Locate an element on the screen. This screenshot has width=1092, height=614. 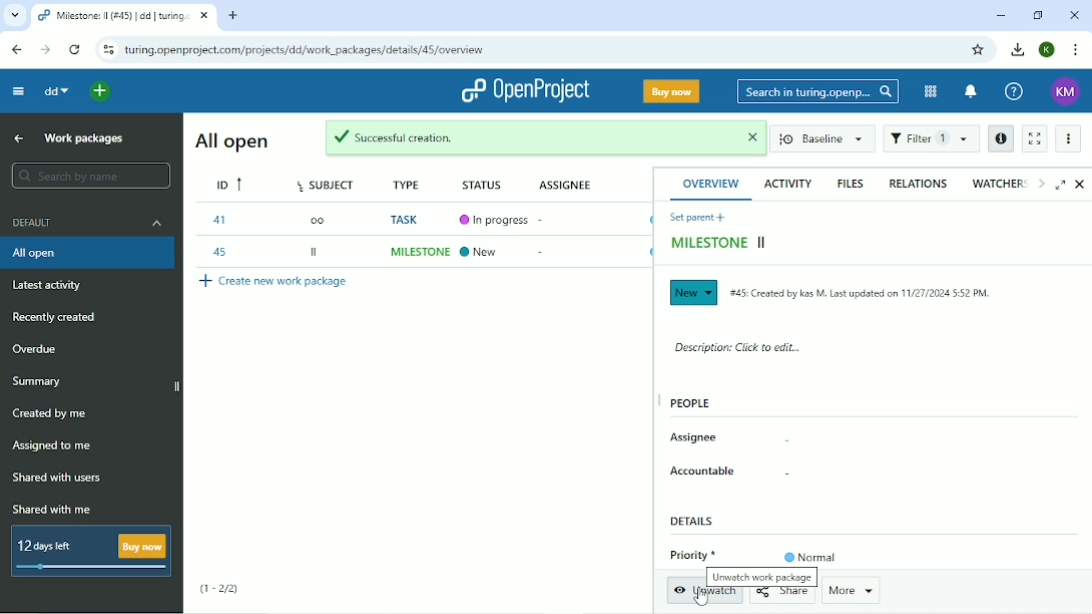
Back is located at coordinates (16, 50).